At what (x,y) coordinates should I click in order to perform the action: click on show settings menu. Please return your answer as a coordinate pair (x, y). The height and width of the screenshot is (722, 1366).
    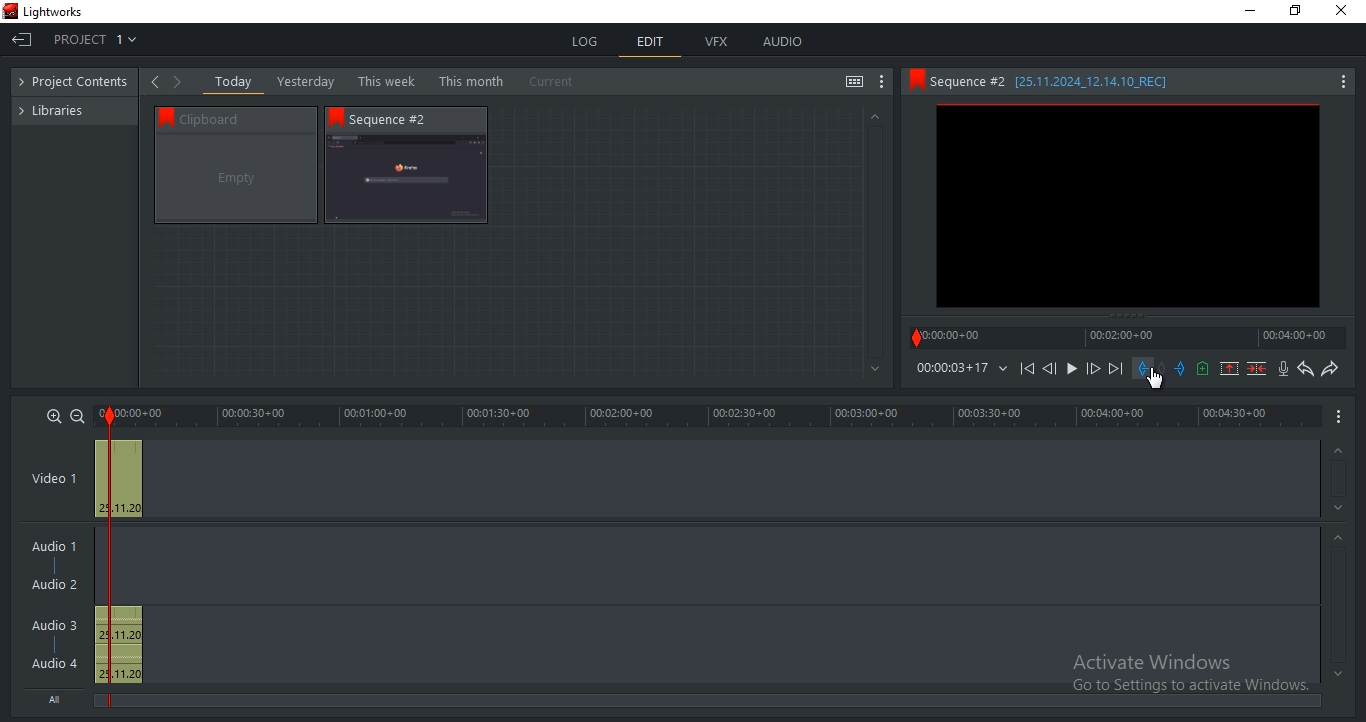
    Looking at the image, I should click on (882, 82).